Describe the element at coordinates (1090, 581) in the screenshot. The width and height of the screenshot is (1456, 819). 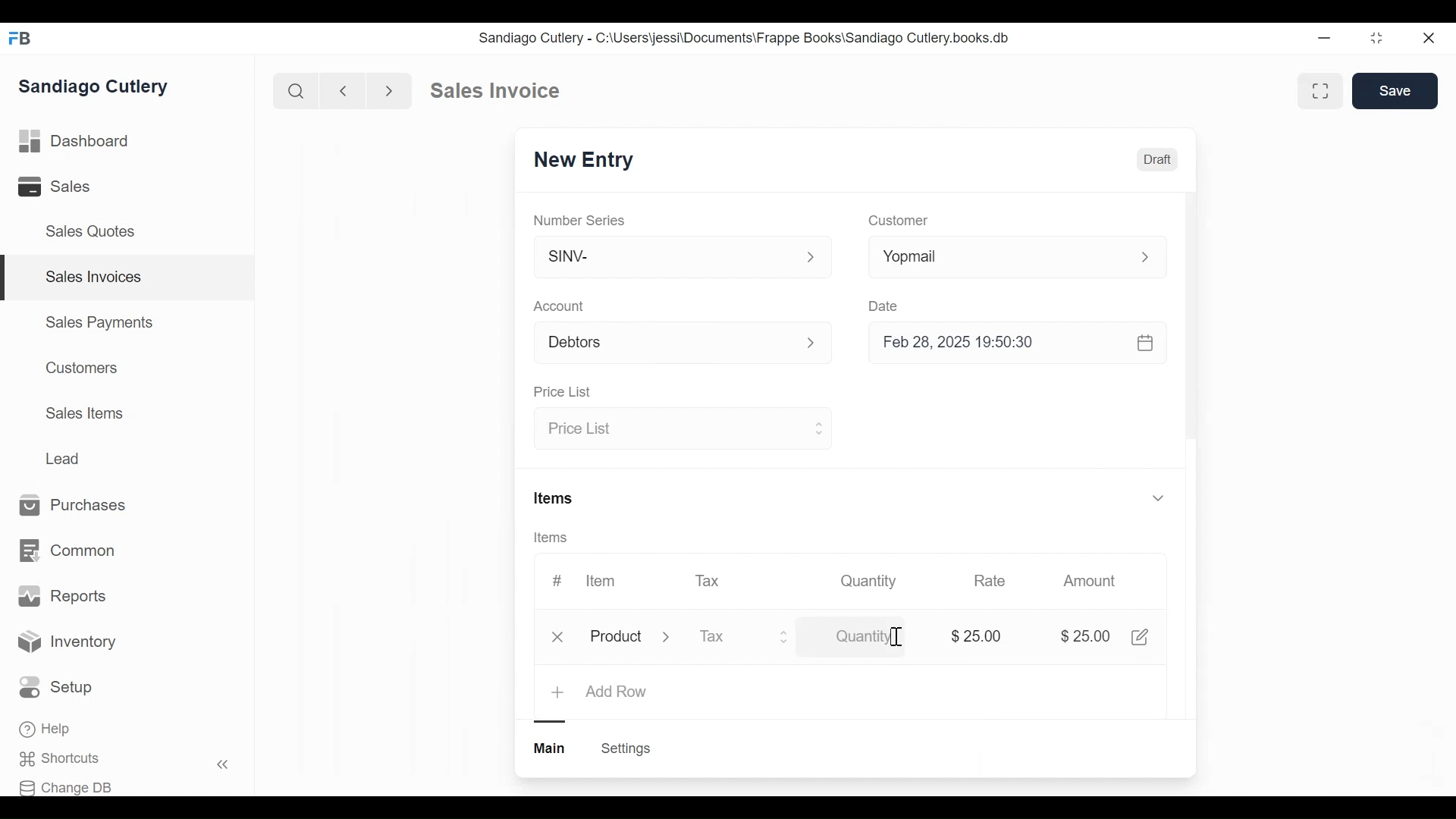
I see `Amount` at that location.